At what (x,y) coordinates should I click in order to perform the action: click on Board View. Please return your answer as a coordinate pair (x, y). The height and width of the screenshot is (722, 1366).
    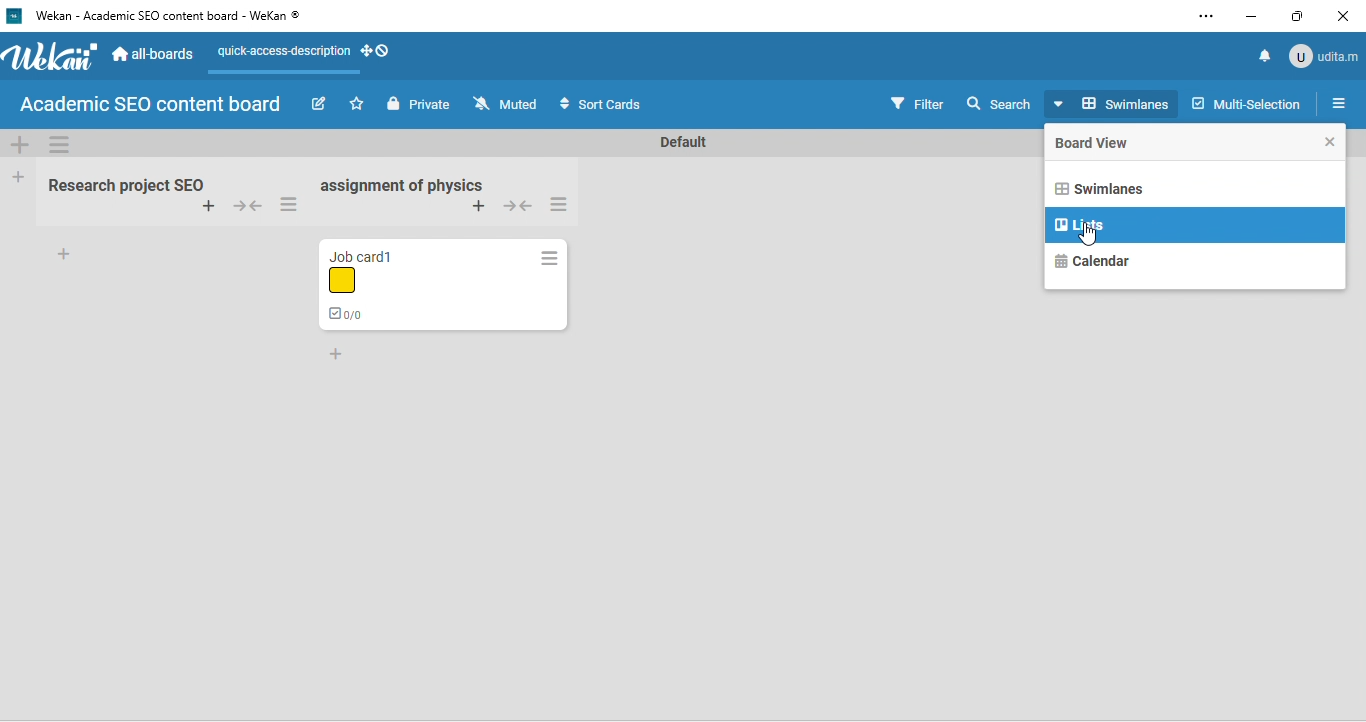
    Looking at the image, I should click on (1099, 143).